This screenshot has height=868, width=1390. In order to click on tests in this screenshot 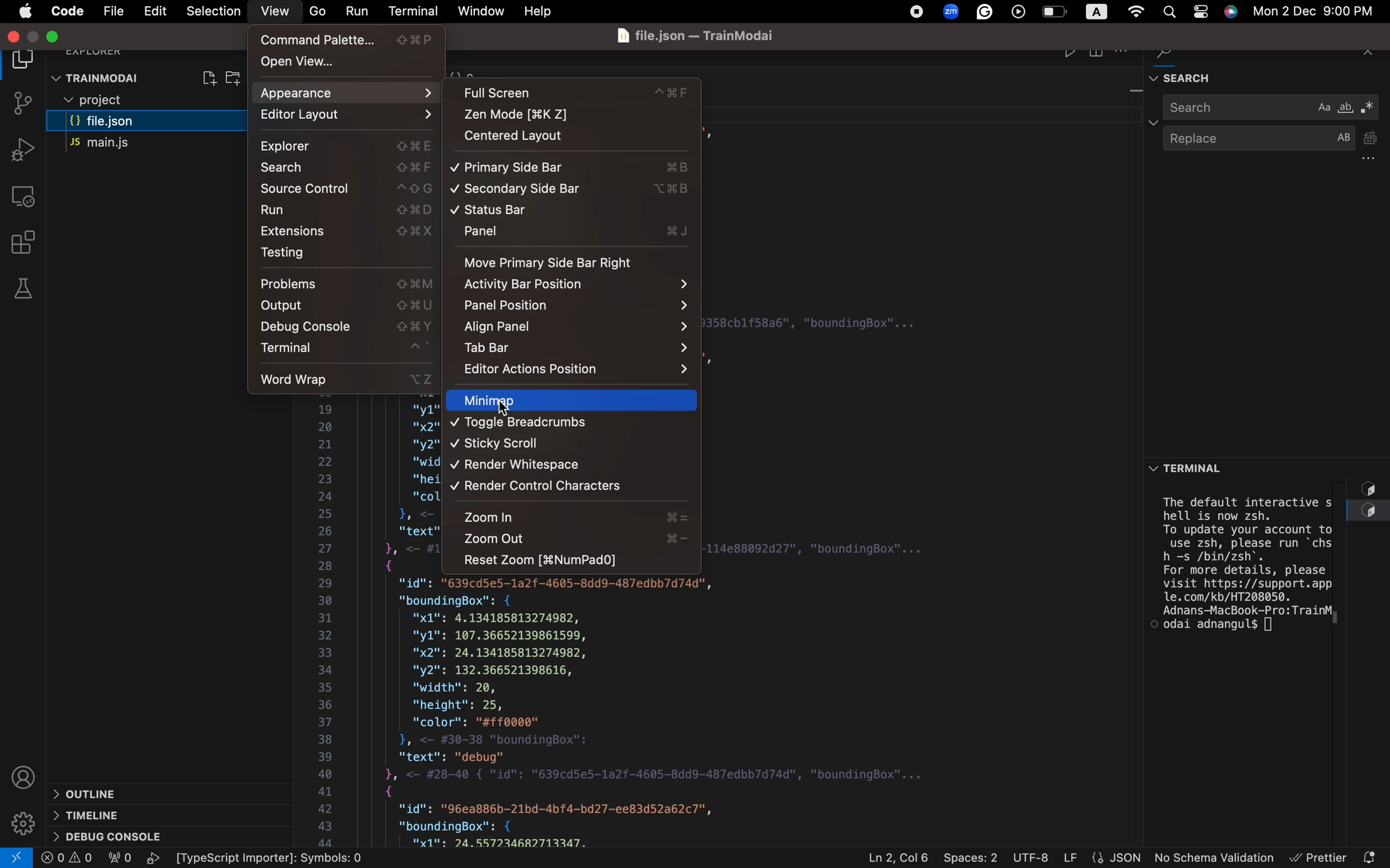, I will do `click(22, 288)`.